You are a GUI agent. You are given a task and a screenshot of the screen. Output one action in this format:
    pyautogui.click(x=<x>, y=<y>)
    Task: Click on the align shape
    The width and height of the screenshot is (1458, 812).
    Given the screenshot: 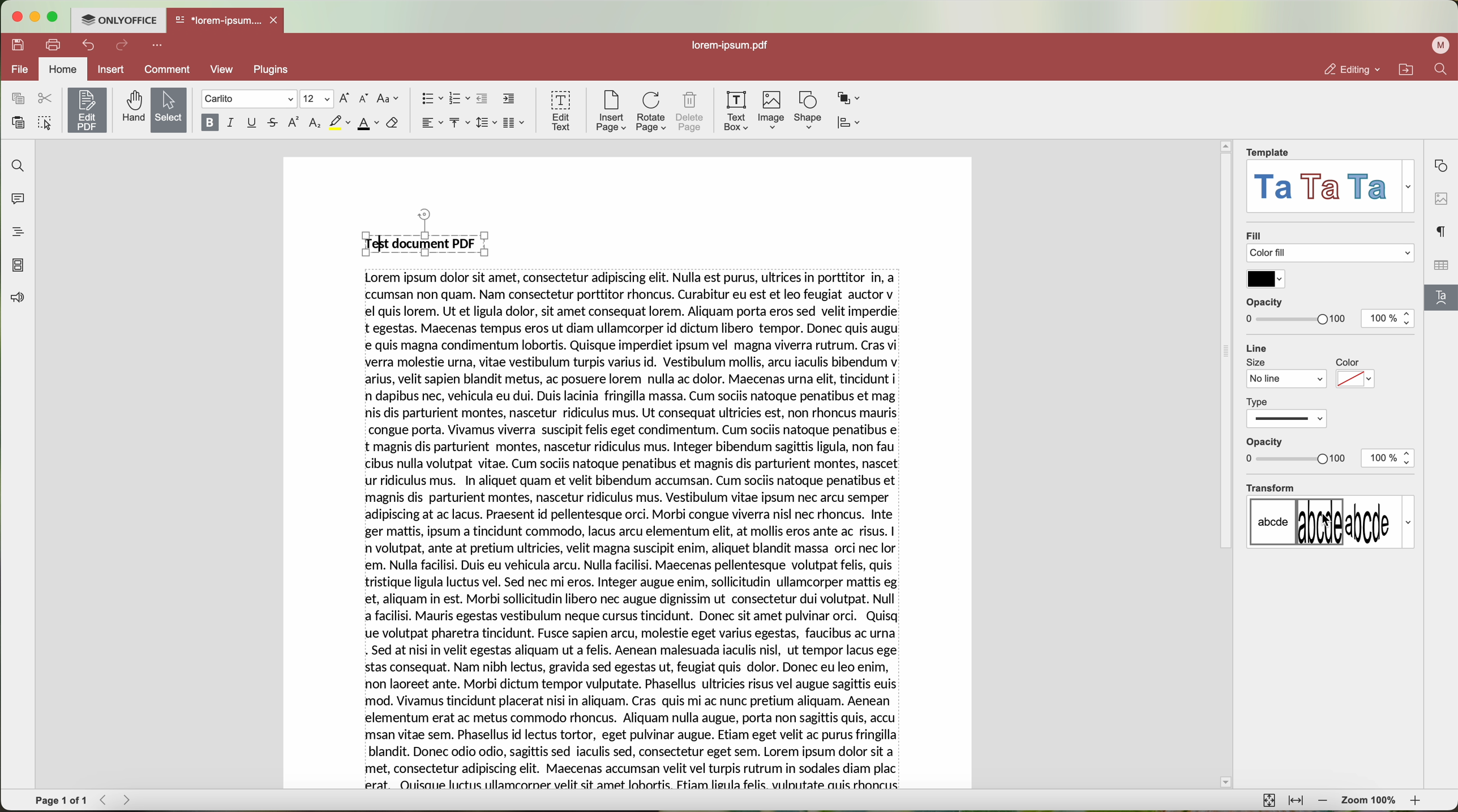 What is the action you would take?
    pyautogui.click(x=848, y=123)
    